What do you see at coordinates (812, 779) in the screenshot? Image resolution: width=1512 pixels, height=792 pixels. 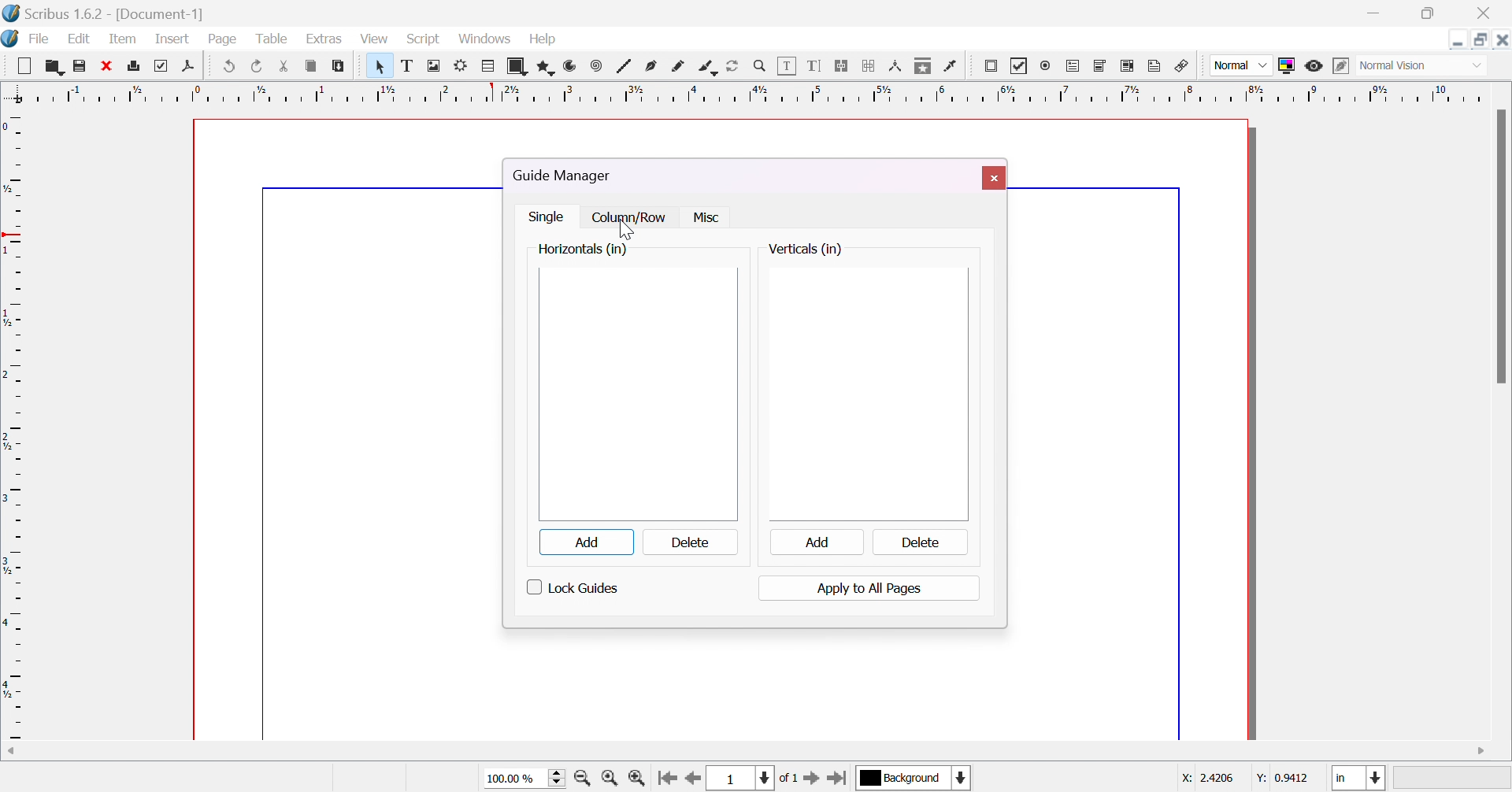 I see `go to next page` at bounding box center [812, 779].